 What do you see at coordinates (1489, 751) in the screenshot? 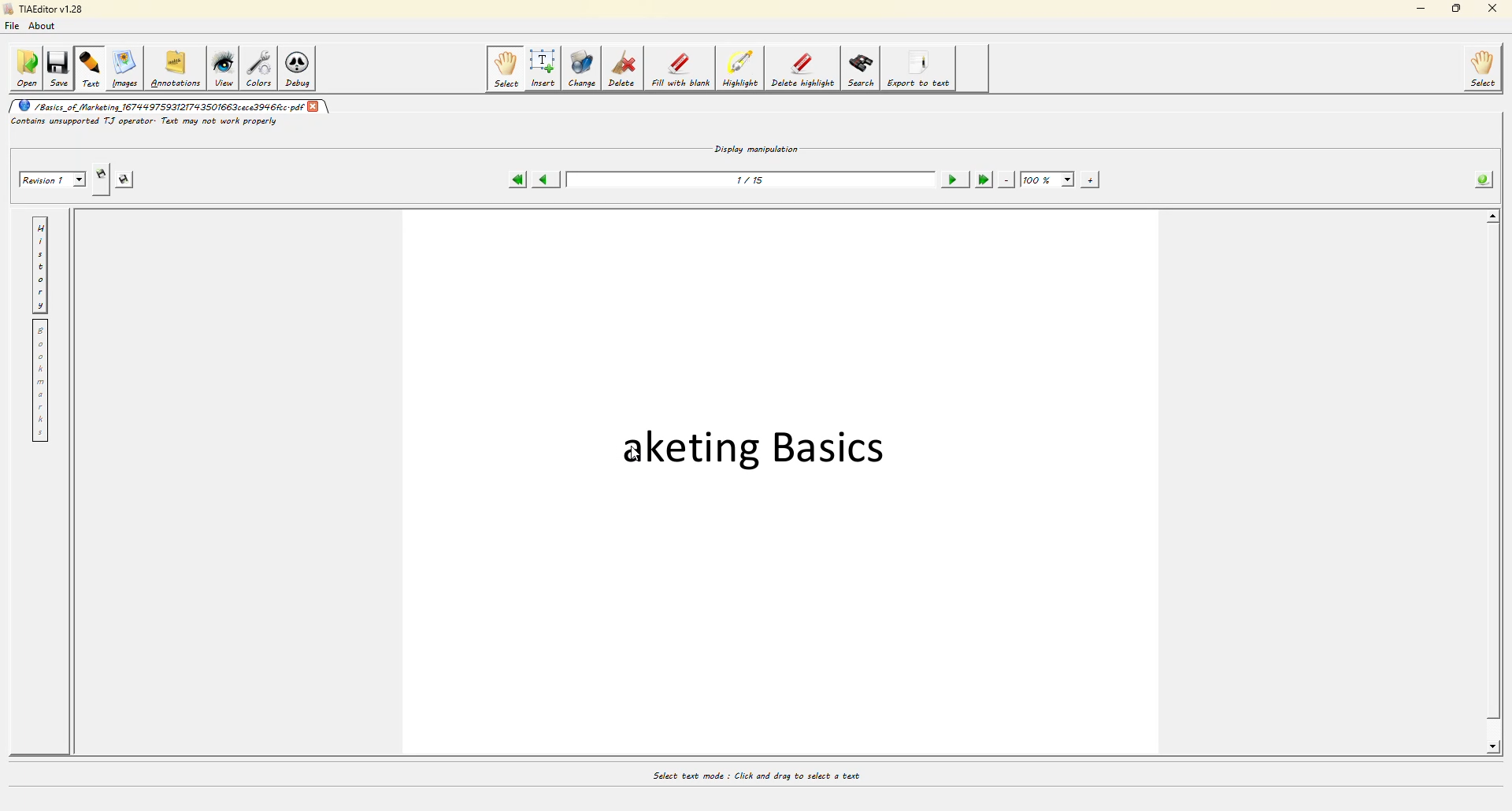
I see `move down` at bounding box center [1489, 751].